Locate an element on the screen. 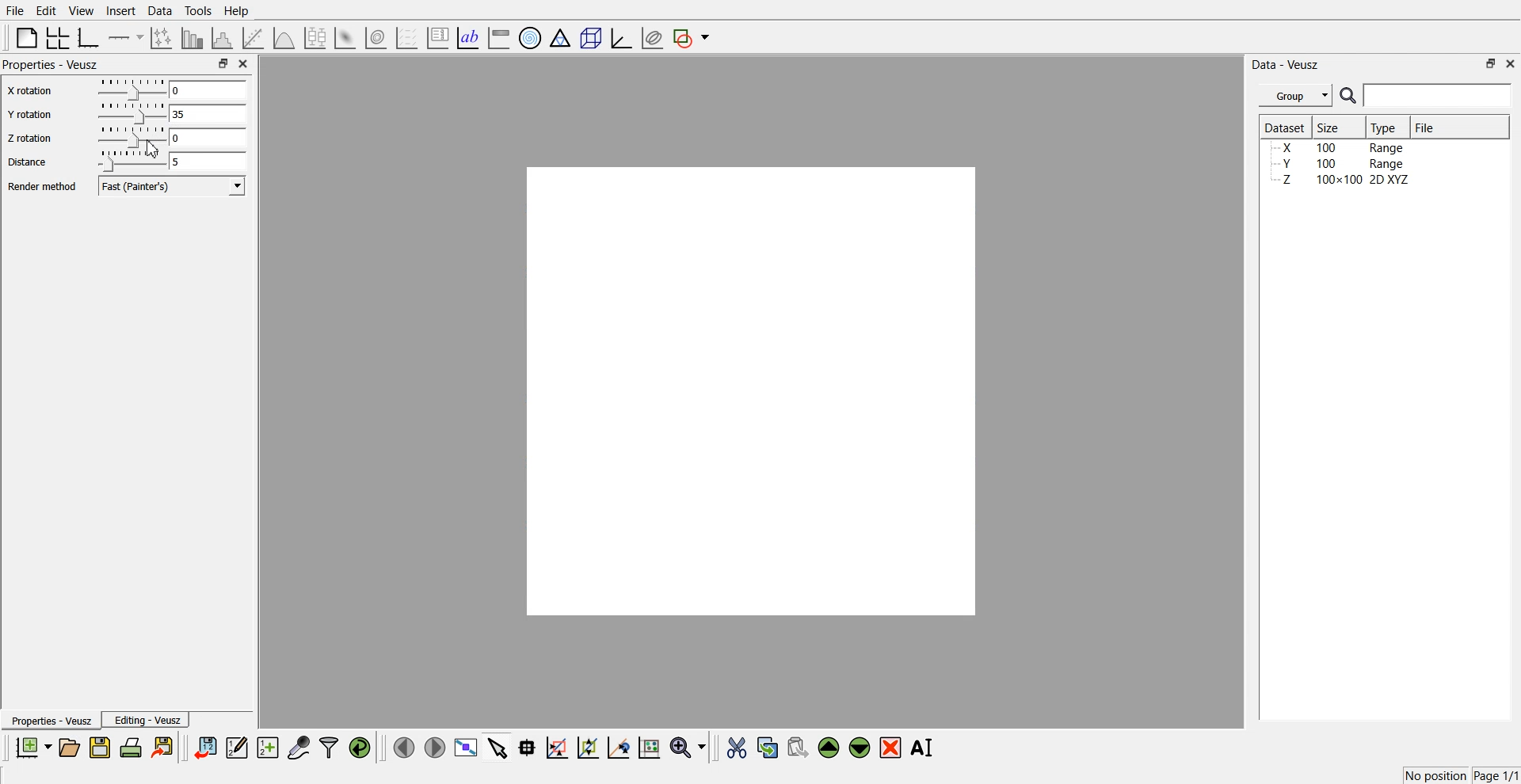 The image size is (1521, 784). Editing - Veusz is located at coordinates (146, 719).